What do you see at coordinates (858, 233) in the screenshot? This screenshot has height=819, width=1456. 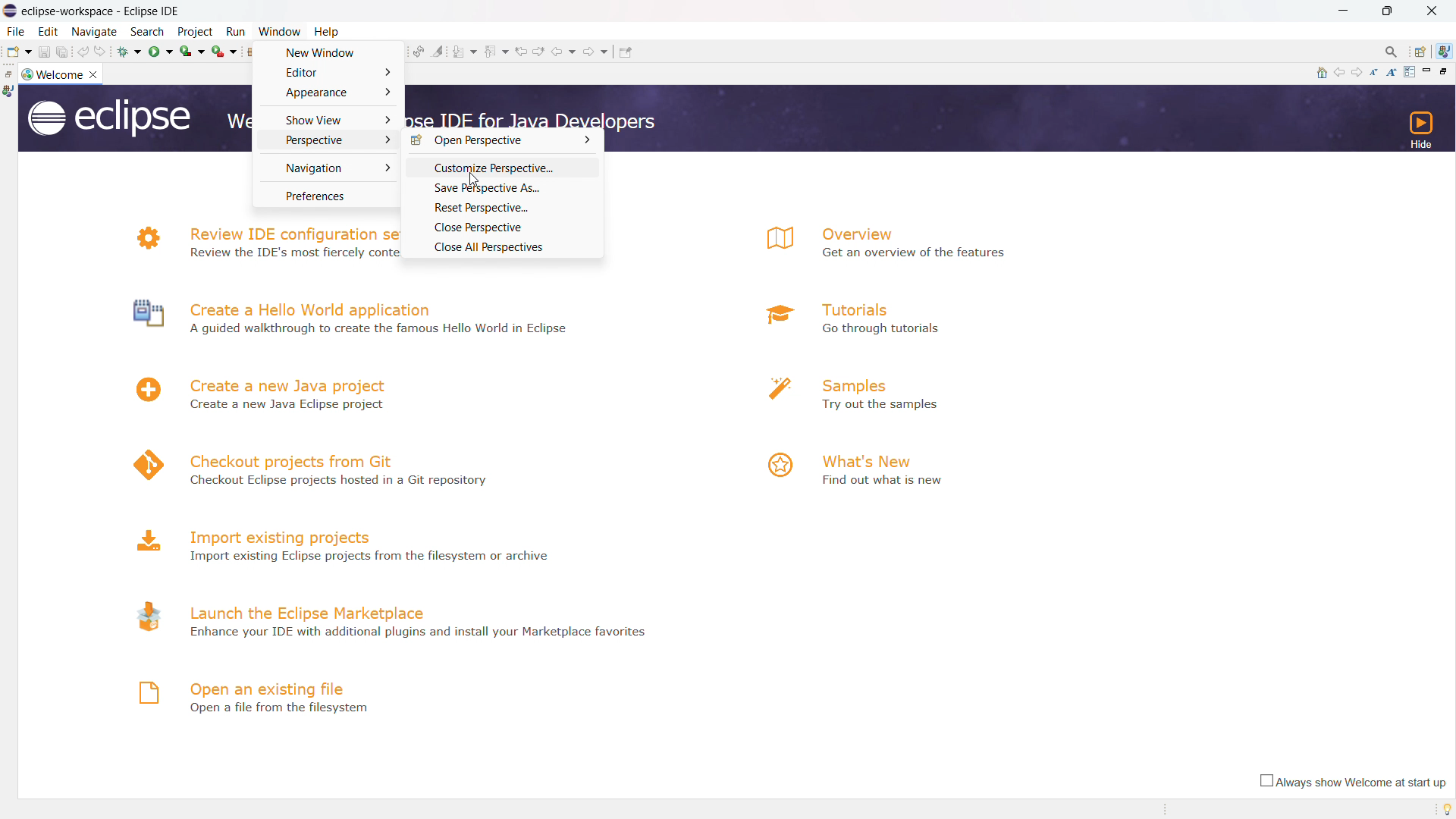 I see `overview` at bounding box center [858, 233].